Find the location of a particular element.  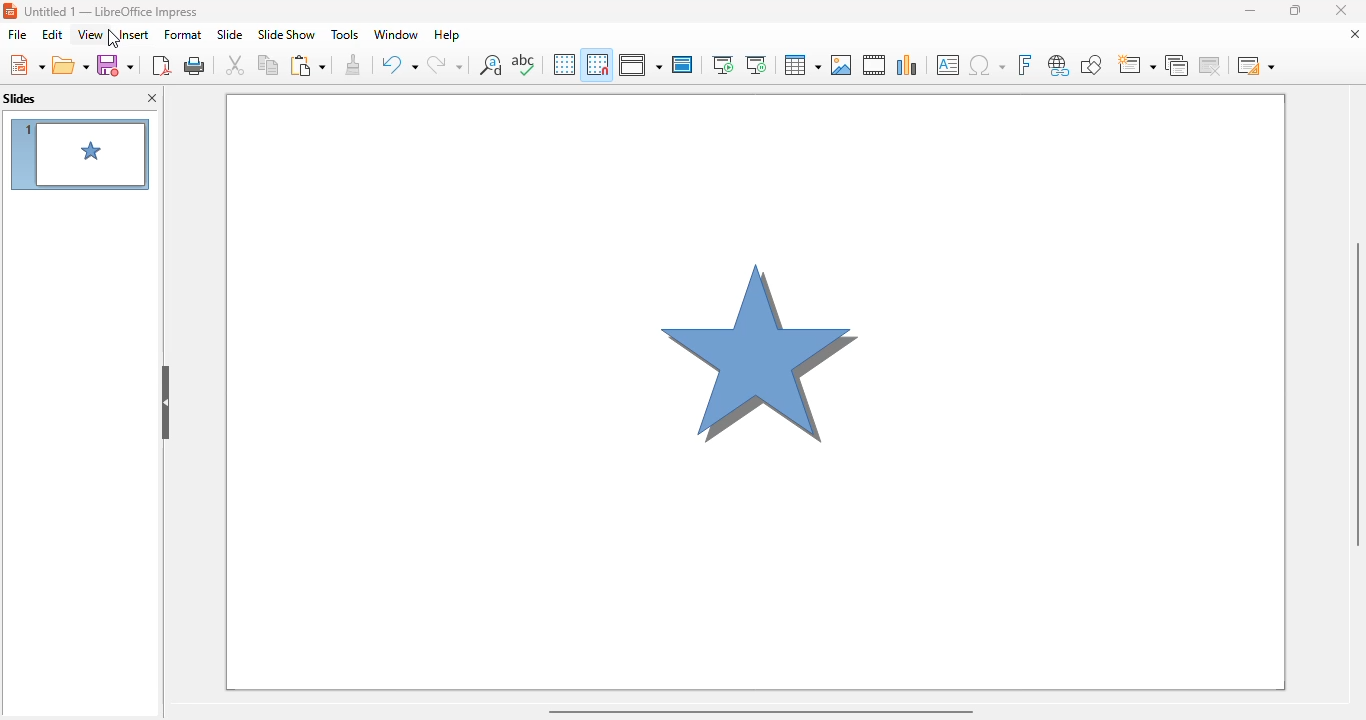

vertical scroll bar is located at coordinates (1358, 392).